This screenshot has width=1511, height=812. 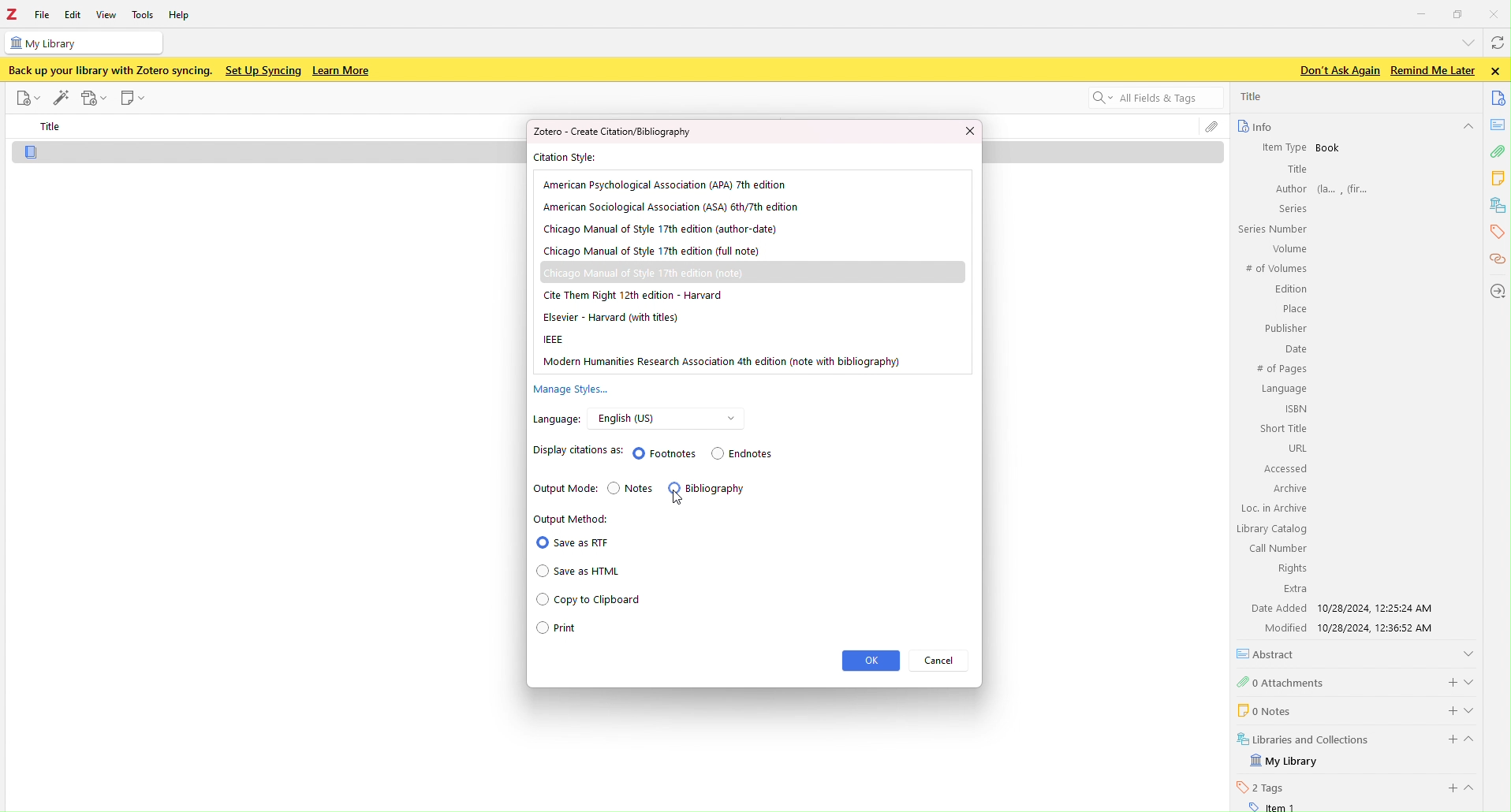 I want to click on cancel, so click(x=940, y=663).